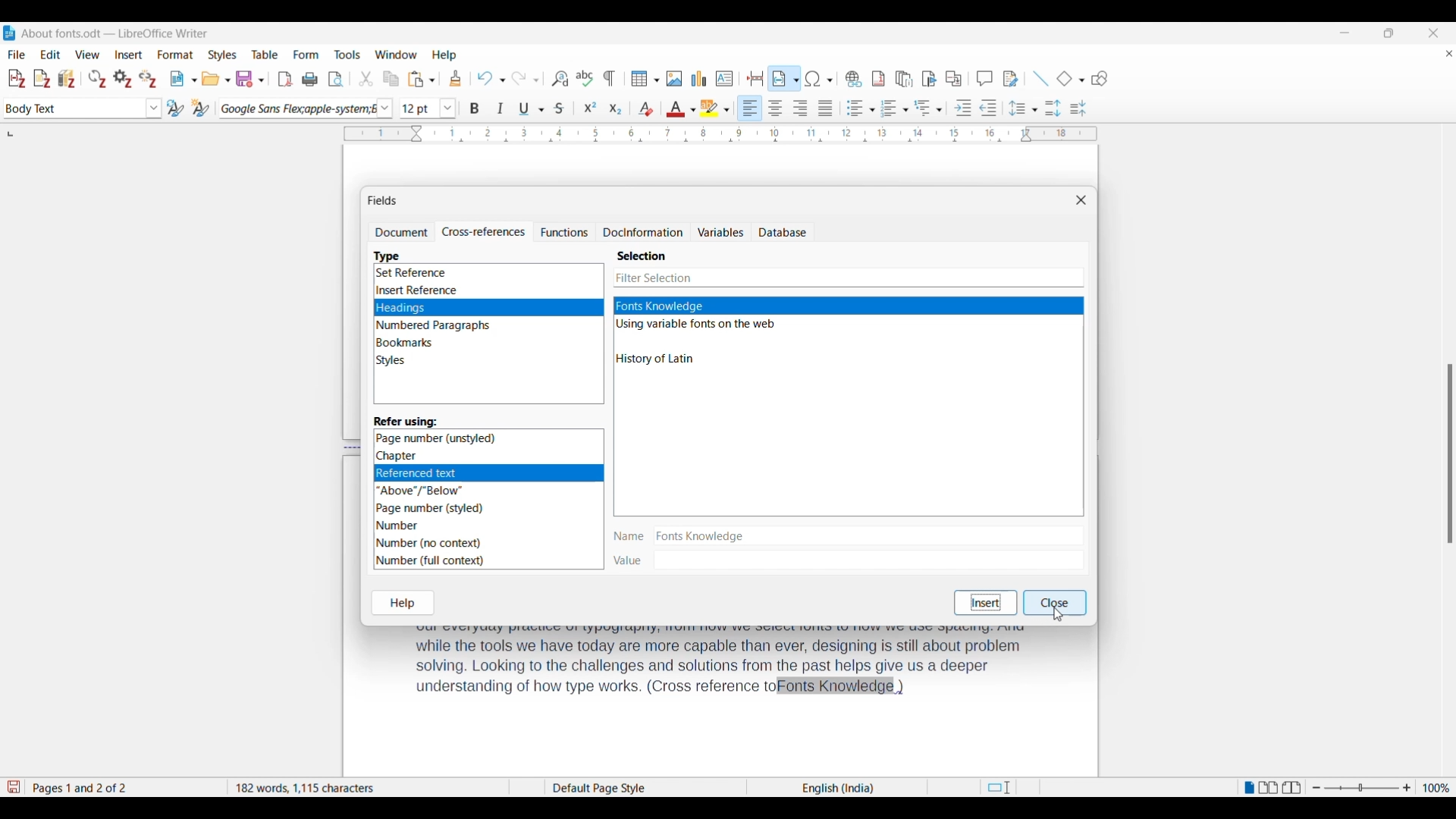 This screenshot has height=819, width=1456. Describe the element at coordinates (708, 133) in the screenshot. I see `Horizontal ruler` at that location.